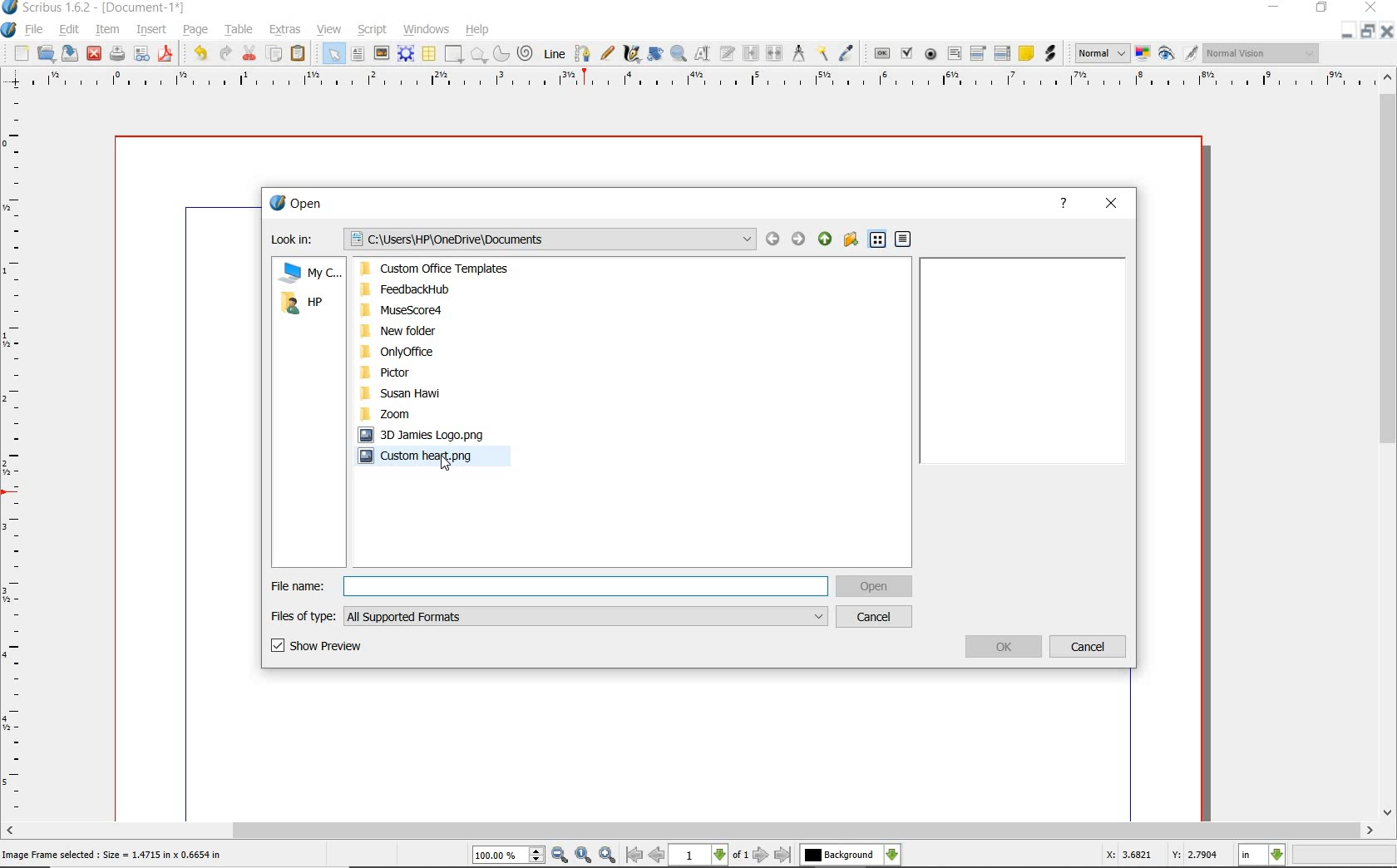  What do you see at coordinates (428, 434) in the screenshot?
I see `image file` at bounding box center [428, 434].